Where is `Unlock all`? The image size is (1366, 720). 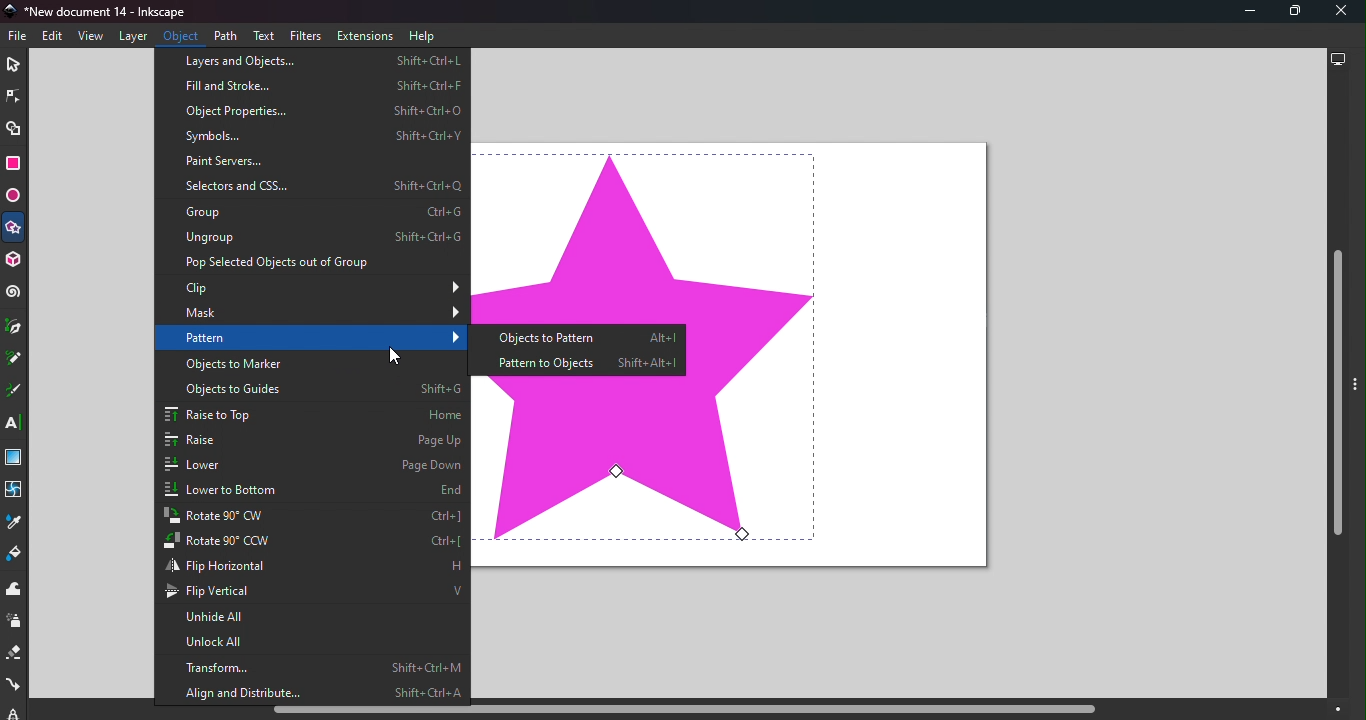 Unlock all is located at coordinates (316, 642).